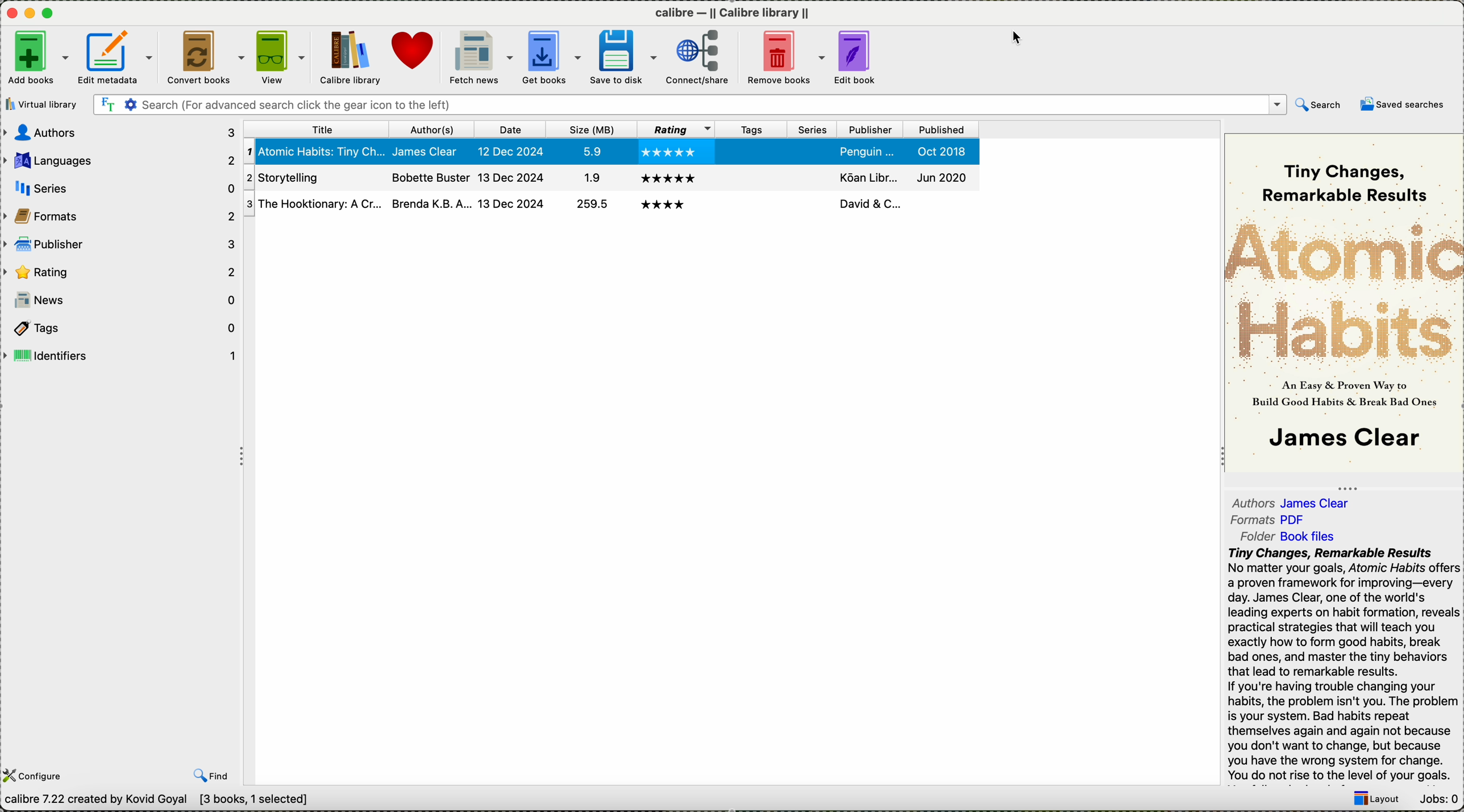 Image resolution: width=1464 pixels, height=812 pixels. I want to click on rating, so click(120, 270).